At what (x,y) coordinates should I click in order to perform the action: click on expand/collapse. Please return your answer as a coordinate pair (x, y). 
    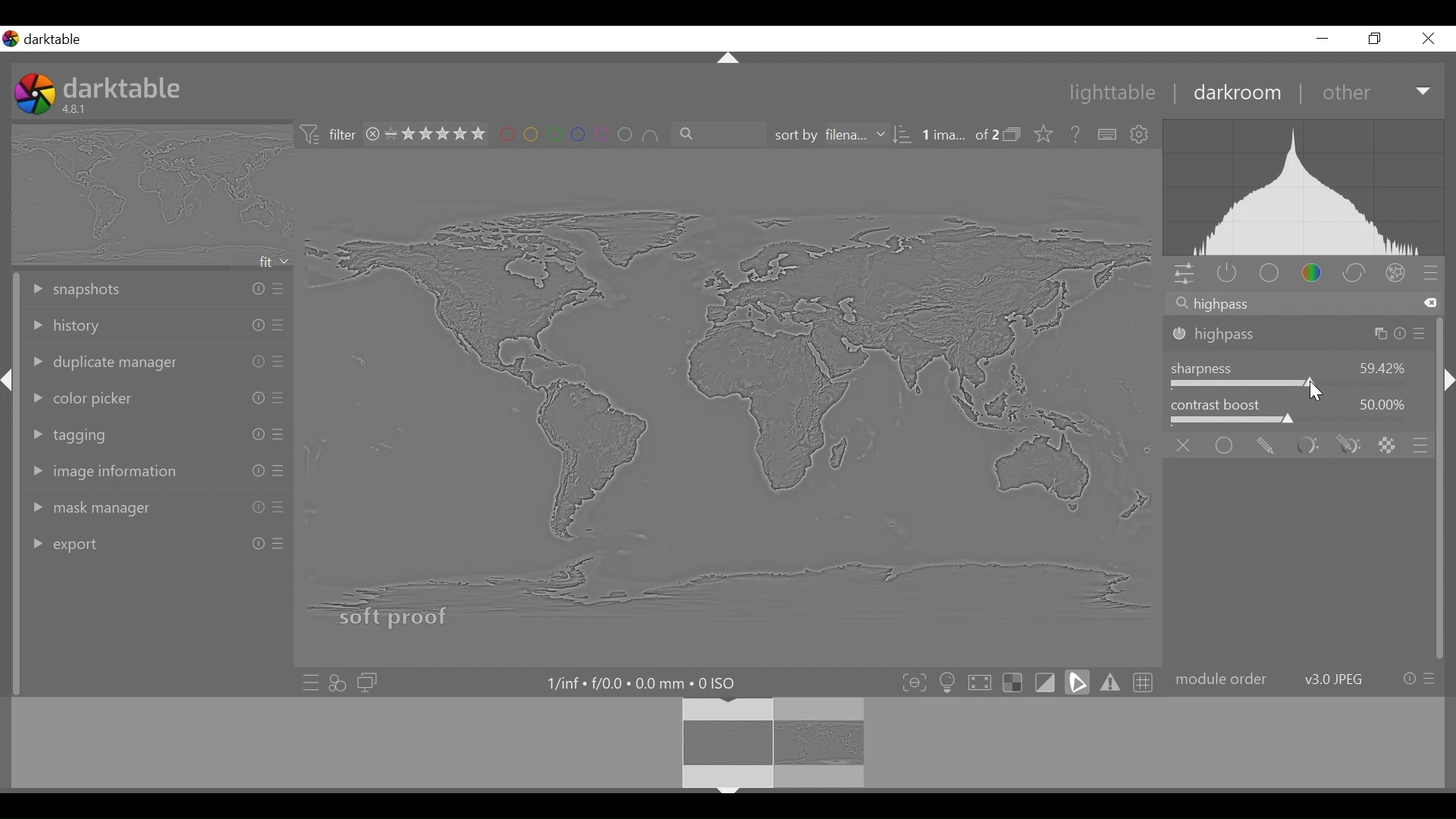
    Looking at the image, I should click on (727, 58).